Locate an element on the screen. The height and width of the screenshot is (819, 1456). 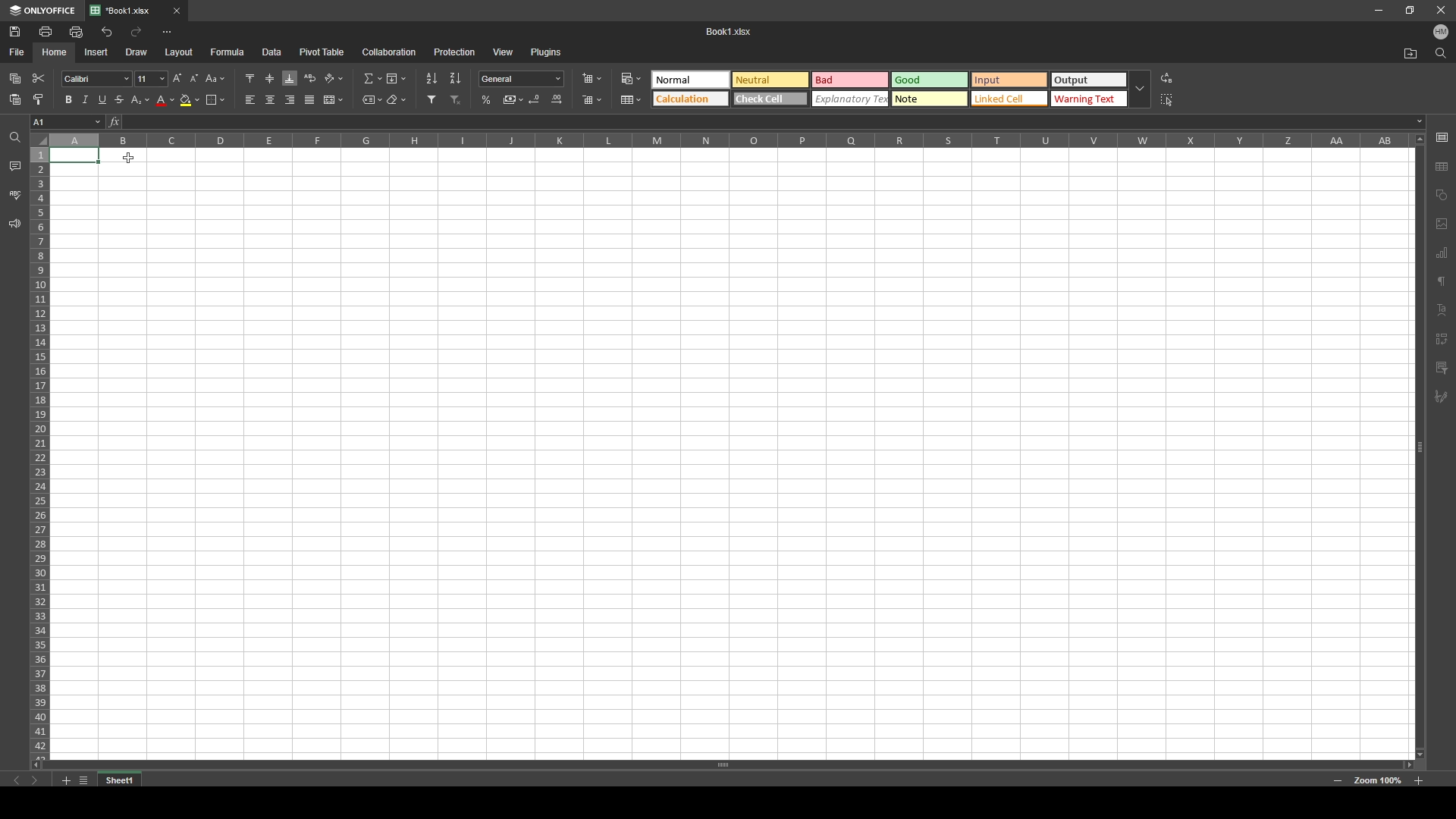
scroll bar is located at coordinates (1418, 444).